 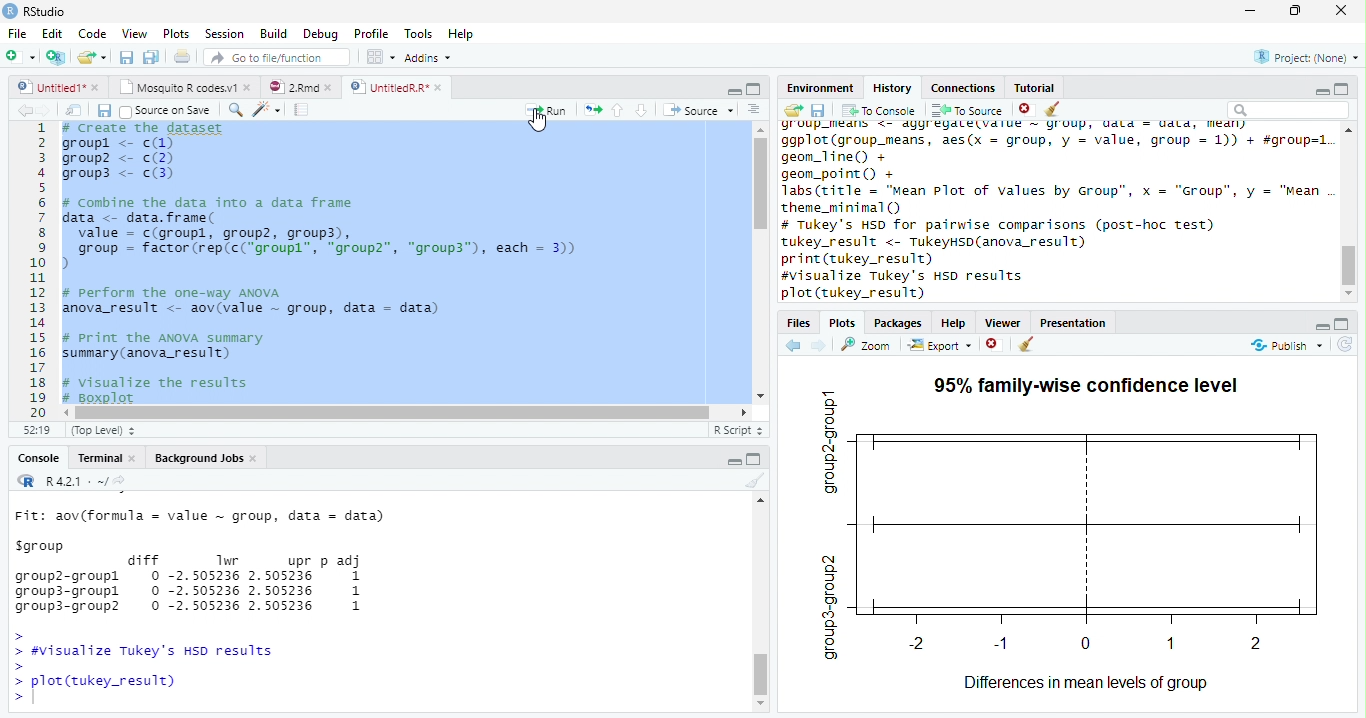 I want to click on Back , so click(x=26, y=111).